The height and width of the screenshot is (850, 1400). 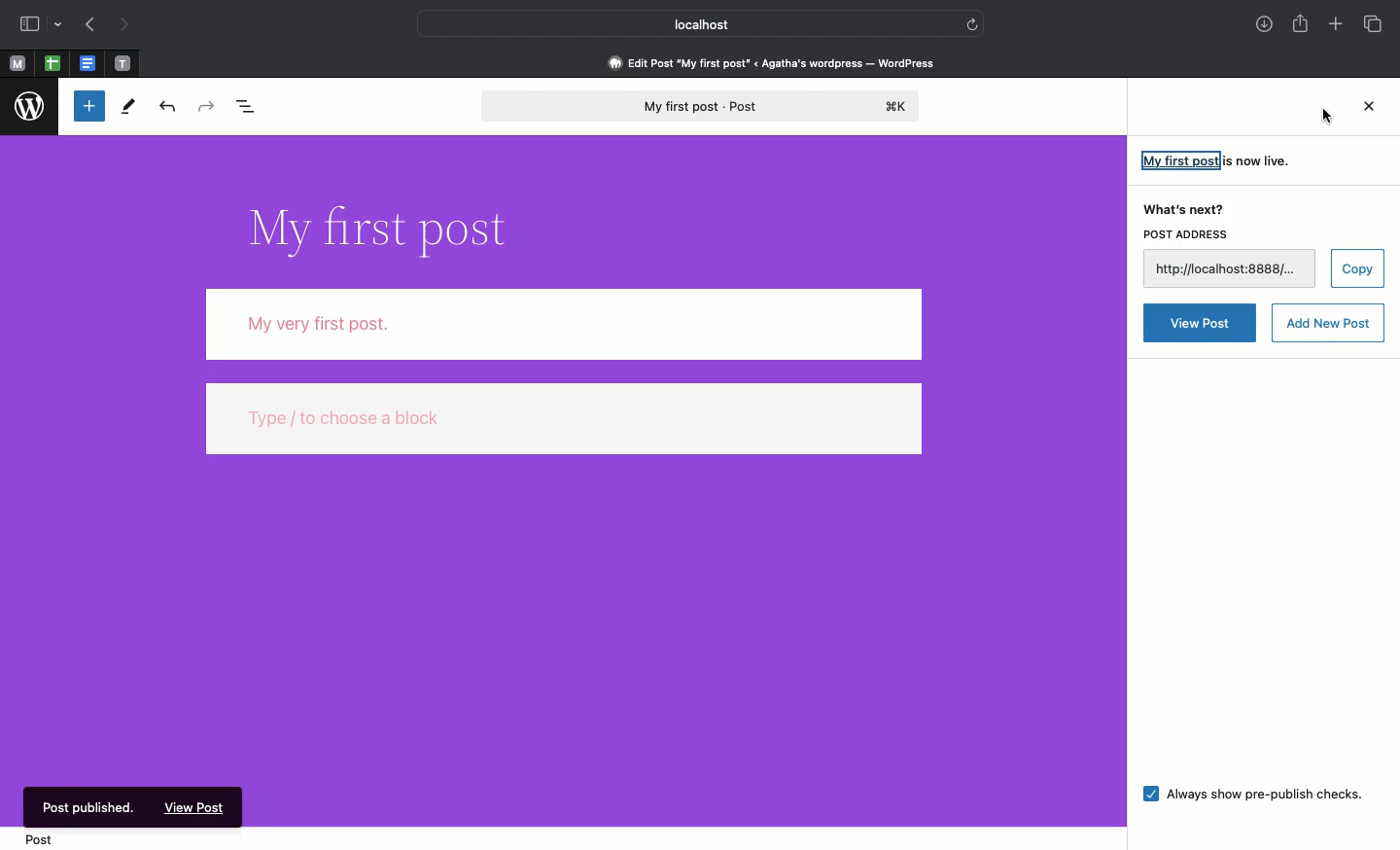 I want to click on Edit post 'my first post' < agatha's wordpress - wordpress, so click(x=772, y=62).